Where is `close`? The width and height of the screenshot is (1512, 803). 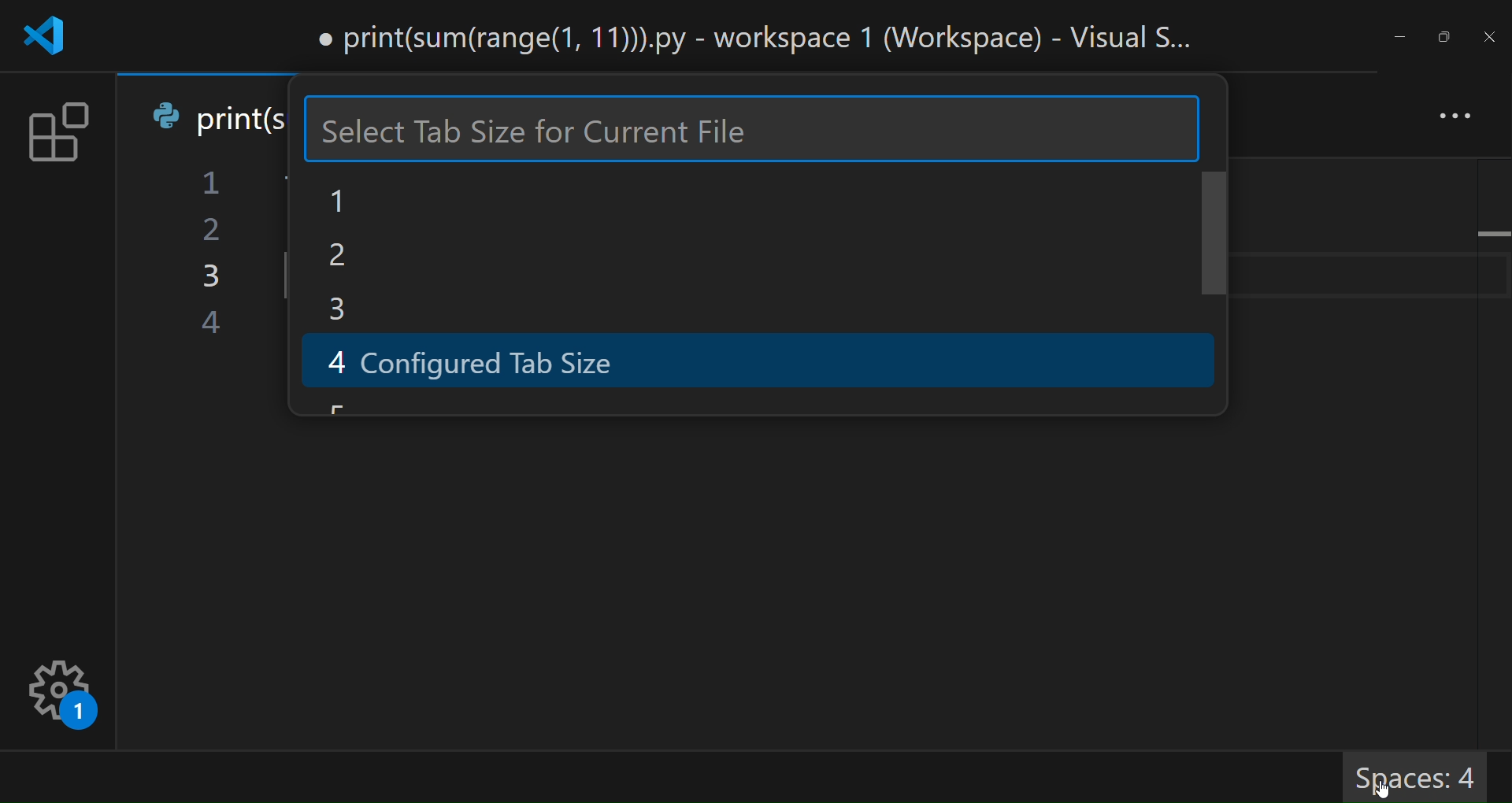 close is located at coordinates (1488, 36).